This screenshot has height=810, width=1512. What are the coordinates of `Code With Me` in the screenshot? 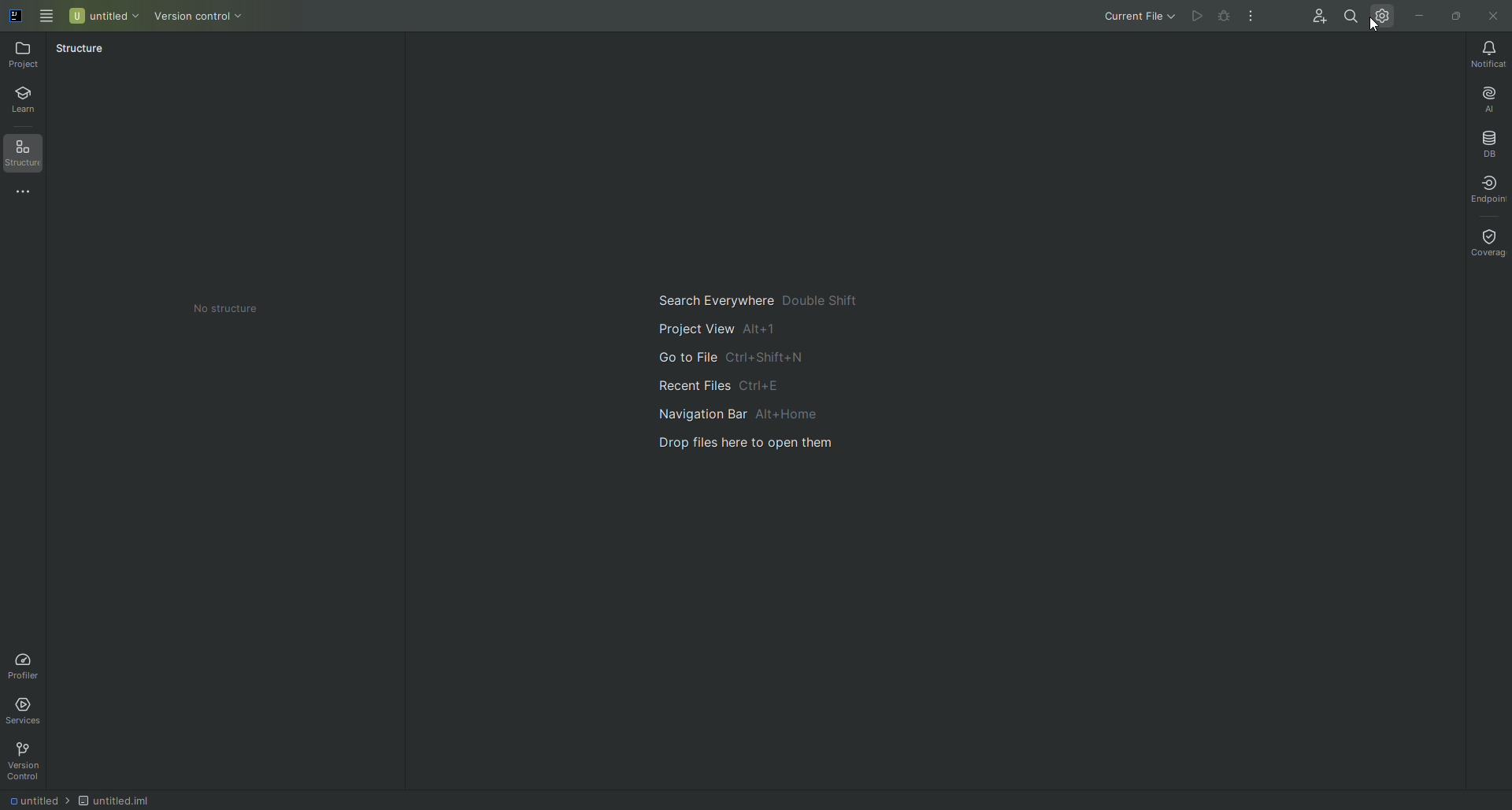 It's located at (1316, 13).